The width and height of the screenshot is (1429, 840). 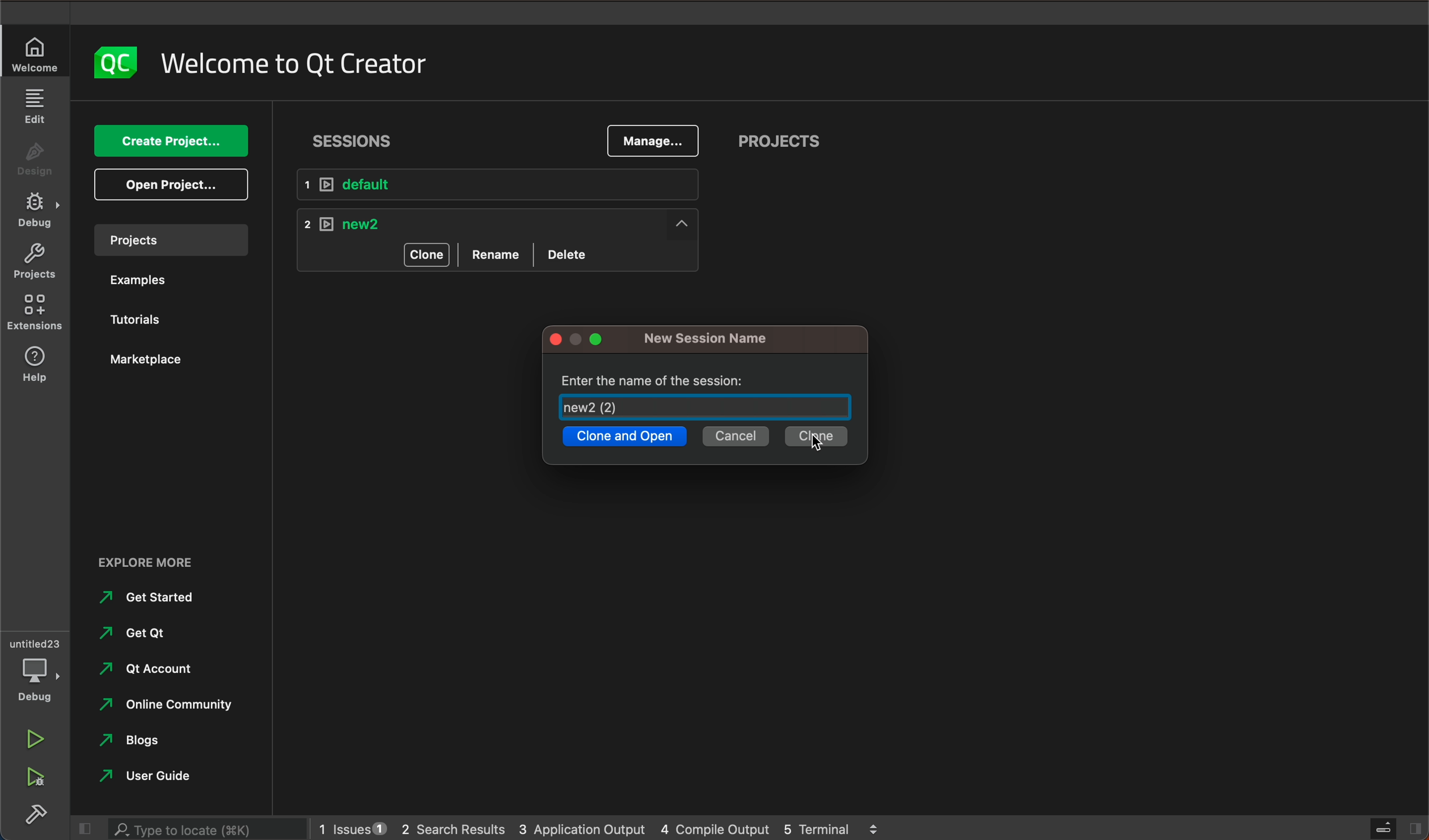 What do you see at coordinates (496, 183) in the screenshot?
I see `default` at bounding box center [496, 183].